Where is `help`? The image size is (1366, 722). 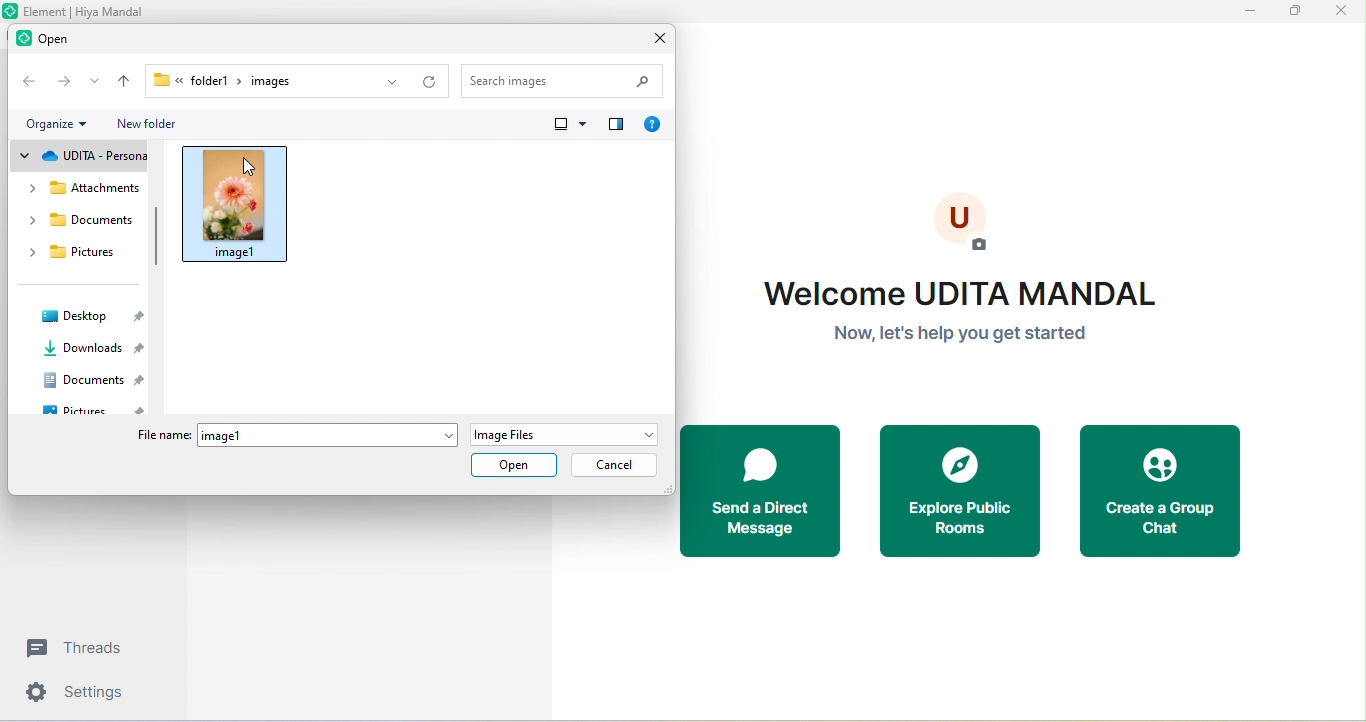 help is located at coordinates (651, 121).